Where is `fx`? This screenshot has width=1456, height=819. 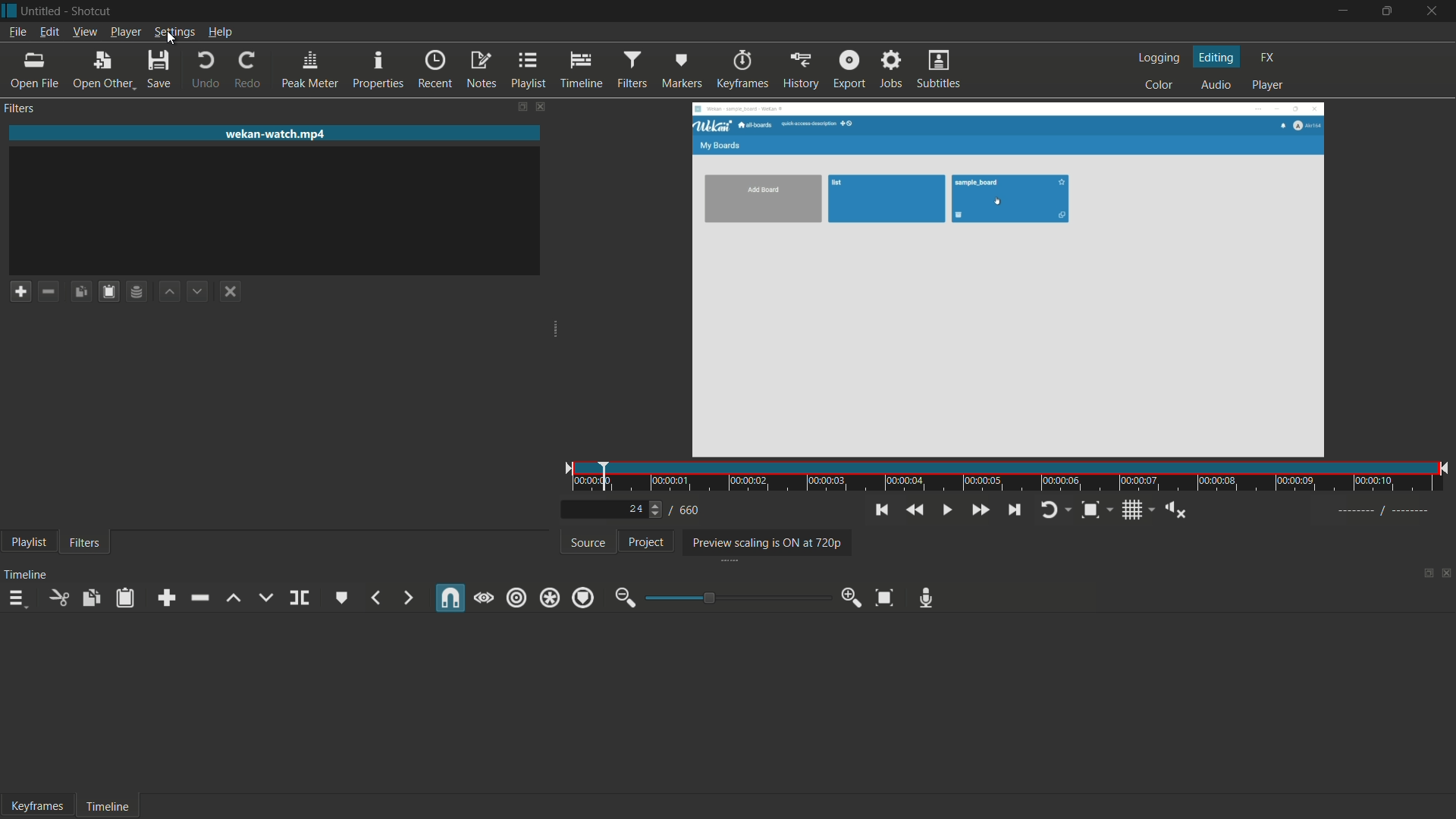 fx is located at coordinates (1267, 55).